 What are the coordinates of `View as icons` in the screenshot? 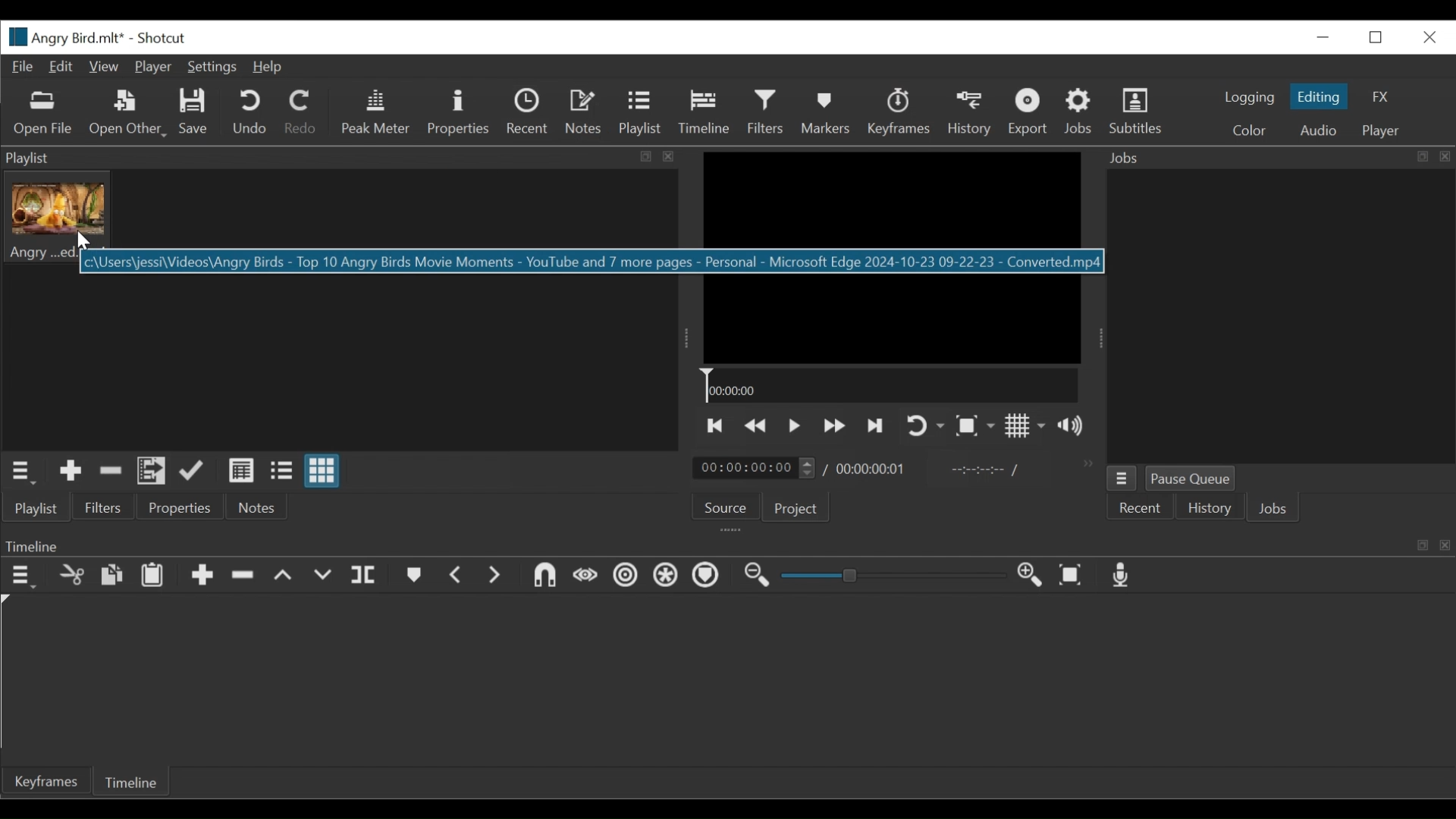 It's located at (322, 472).